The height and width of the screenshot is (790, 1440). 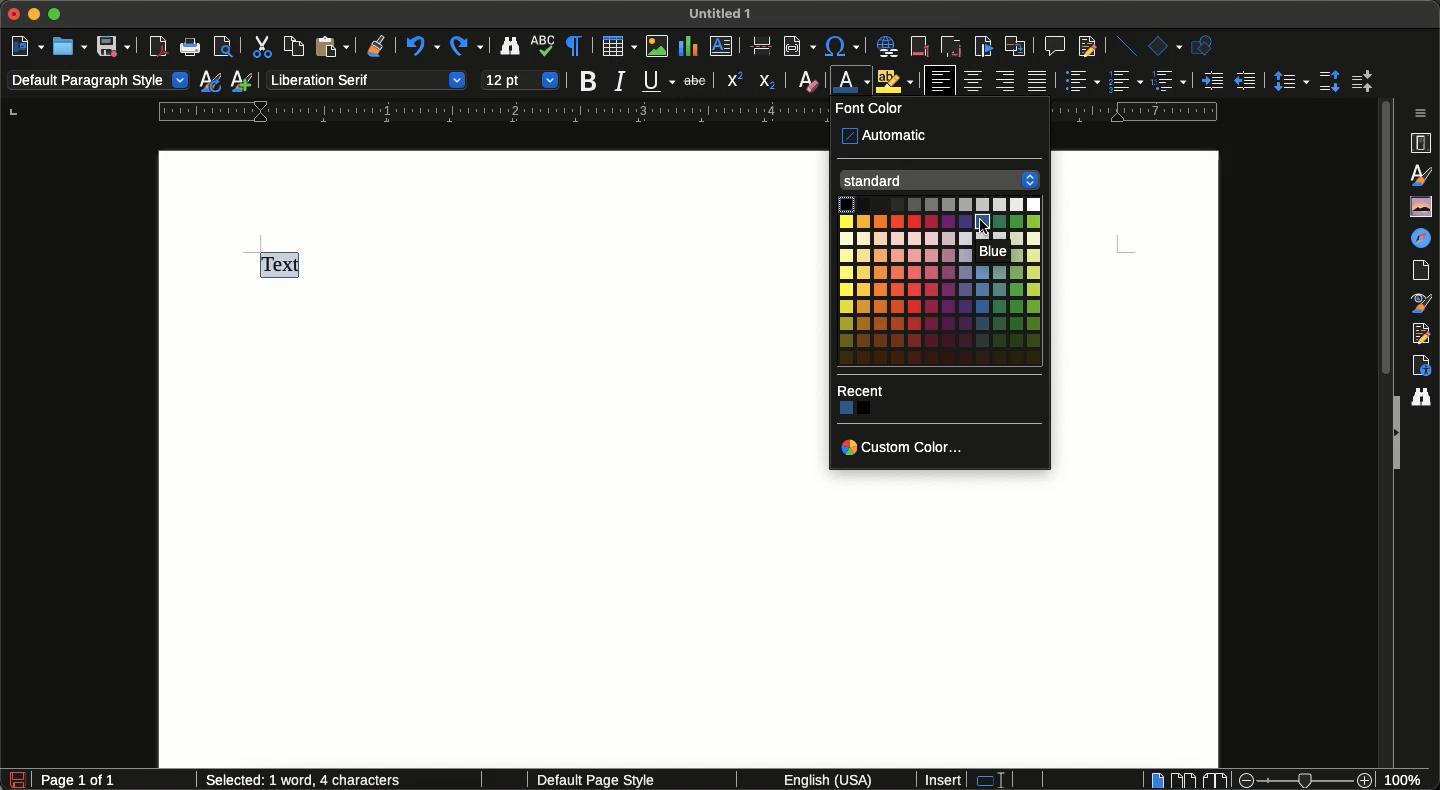 I want to click on Properties, so click(x=1423, y=143).